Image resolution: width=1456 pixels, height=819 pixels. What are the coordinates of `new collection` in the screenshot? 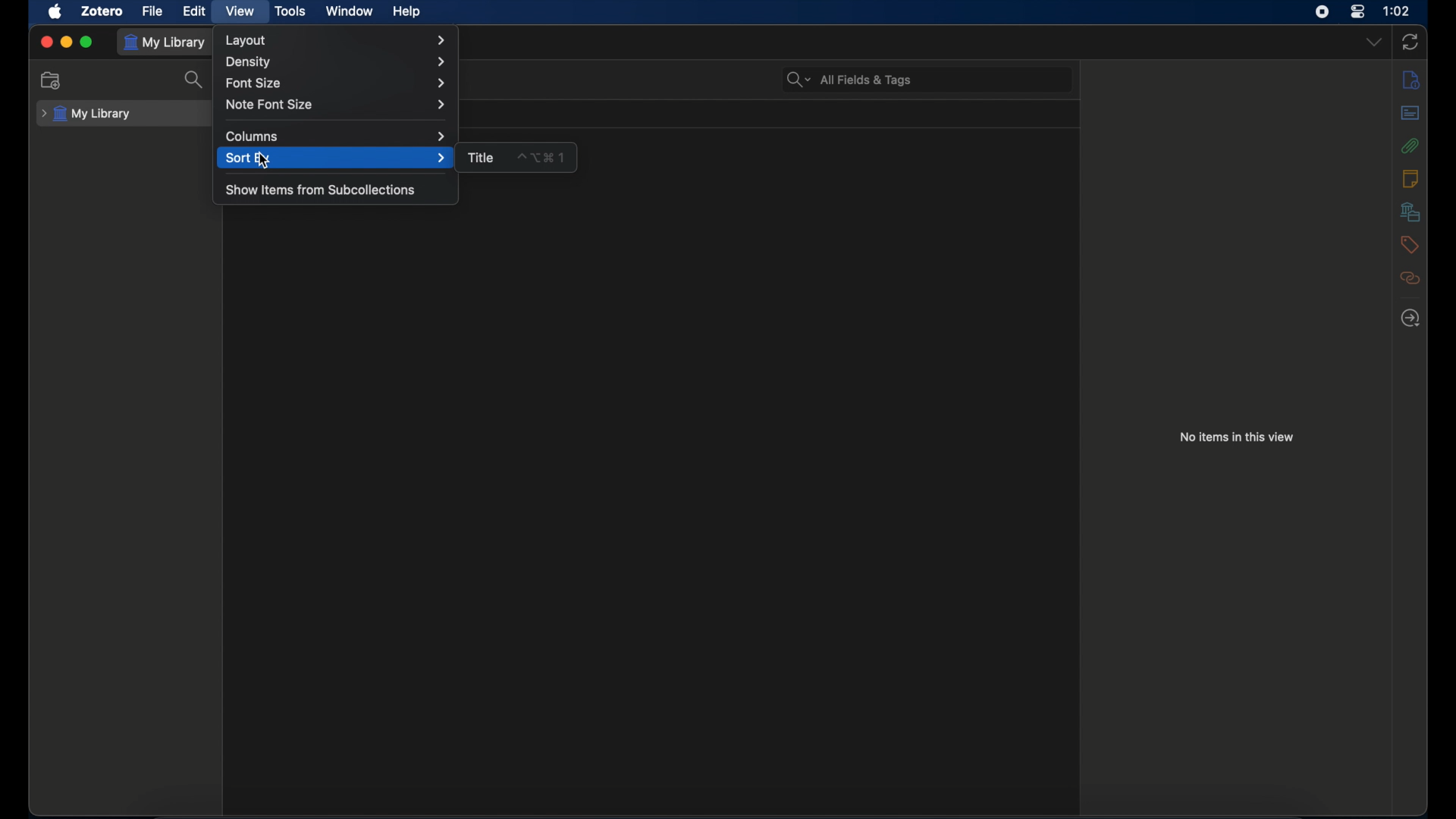 It's located at (49, 80).